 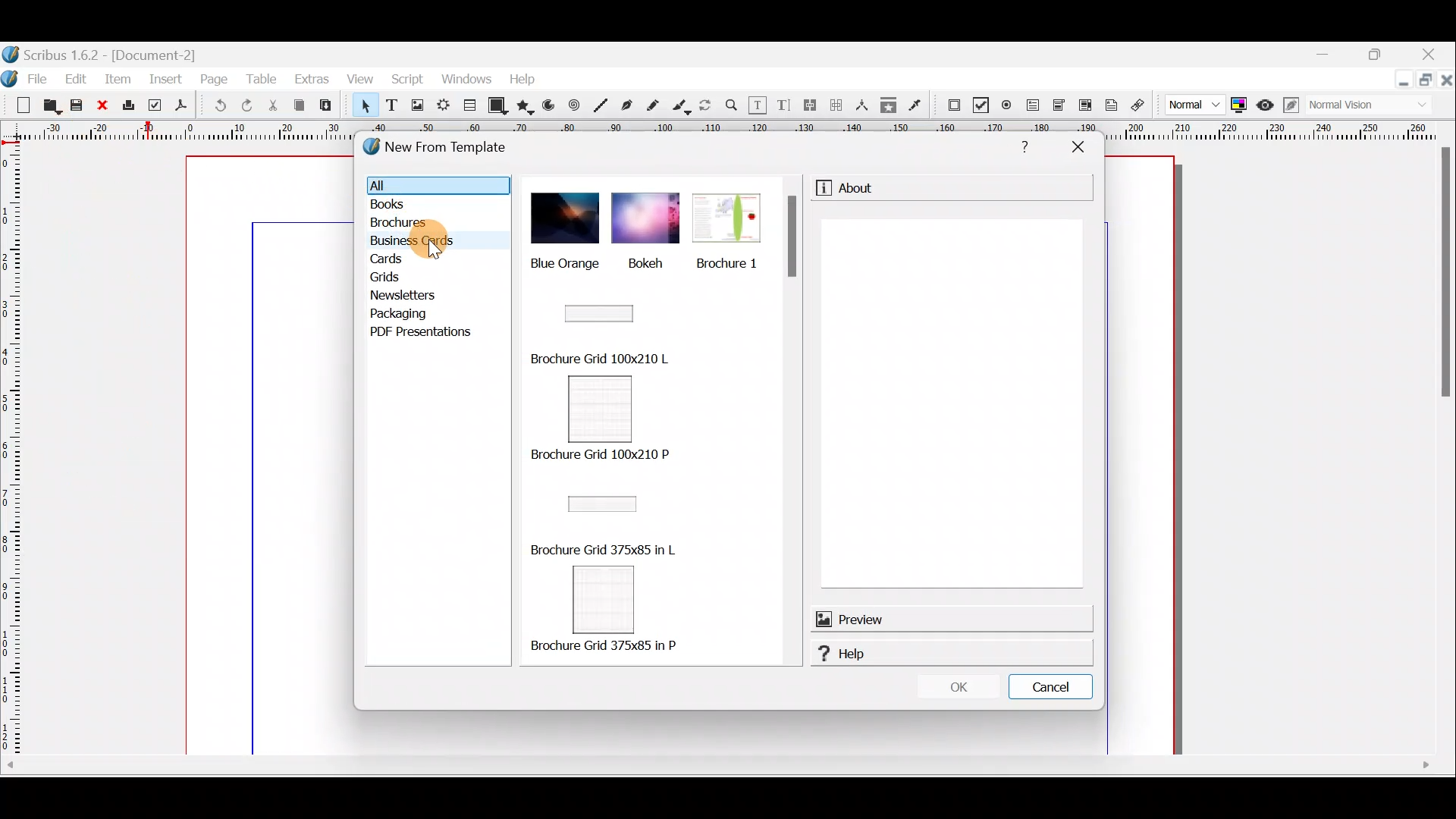 What do you see at coordinates (213, 78) in the screenshot?
I see `Page` at bounding box center [213, 78].